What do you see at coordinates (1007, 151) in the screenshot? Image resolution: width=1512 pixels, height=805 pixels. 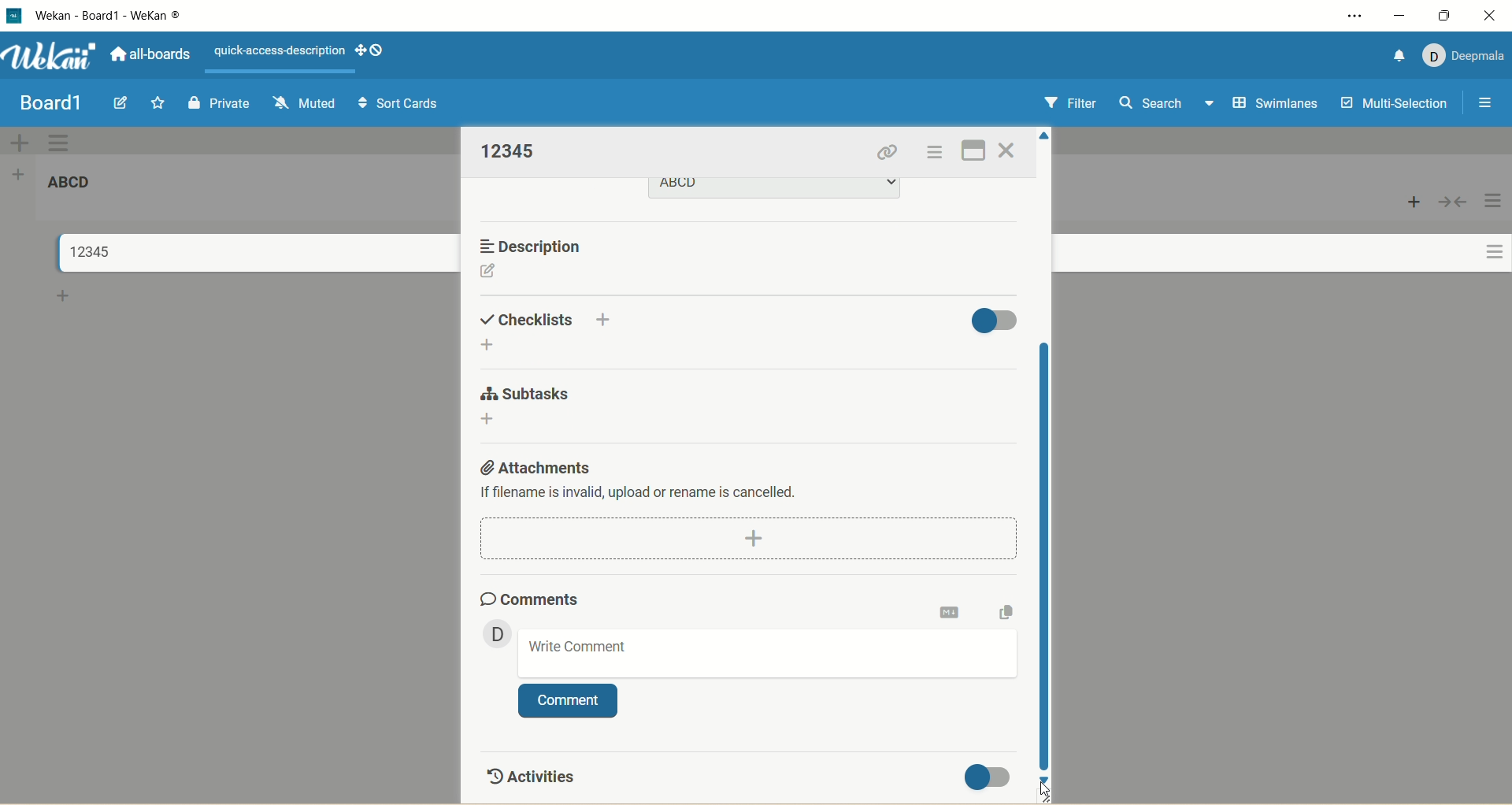 I see `close` at bounding box center [1007, 151].